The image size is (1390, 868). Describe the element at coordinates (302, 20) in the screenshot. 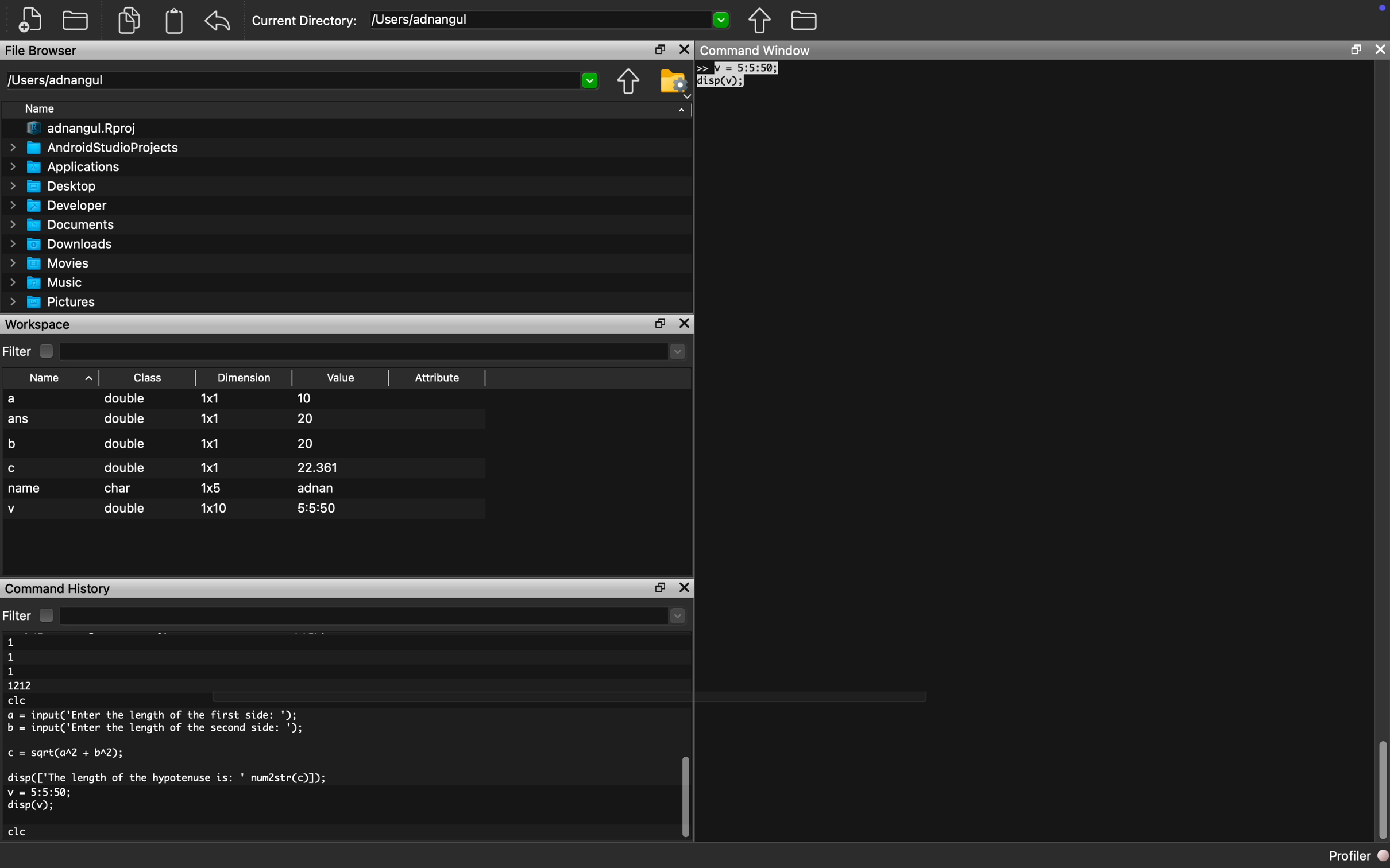

I see `Current Directory:` at that location.